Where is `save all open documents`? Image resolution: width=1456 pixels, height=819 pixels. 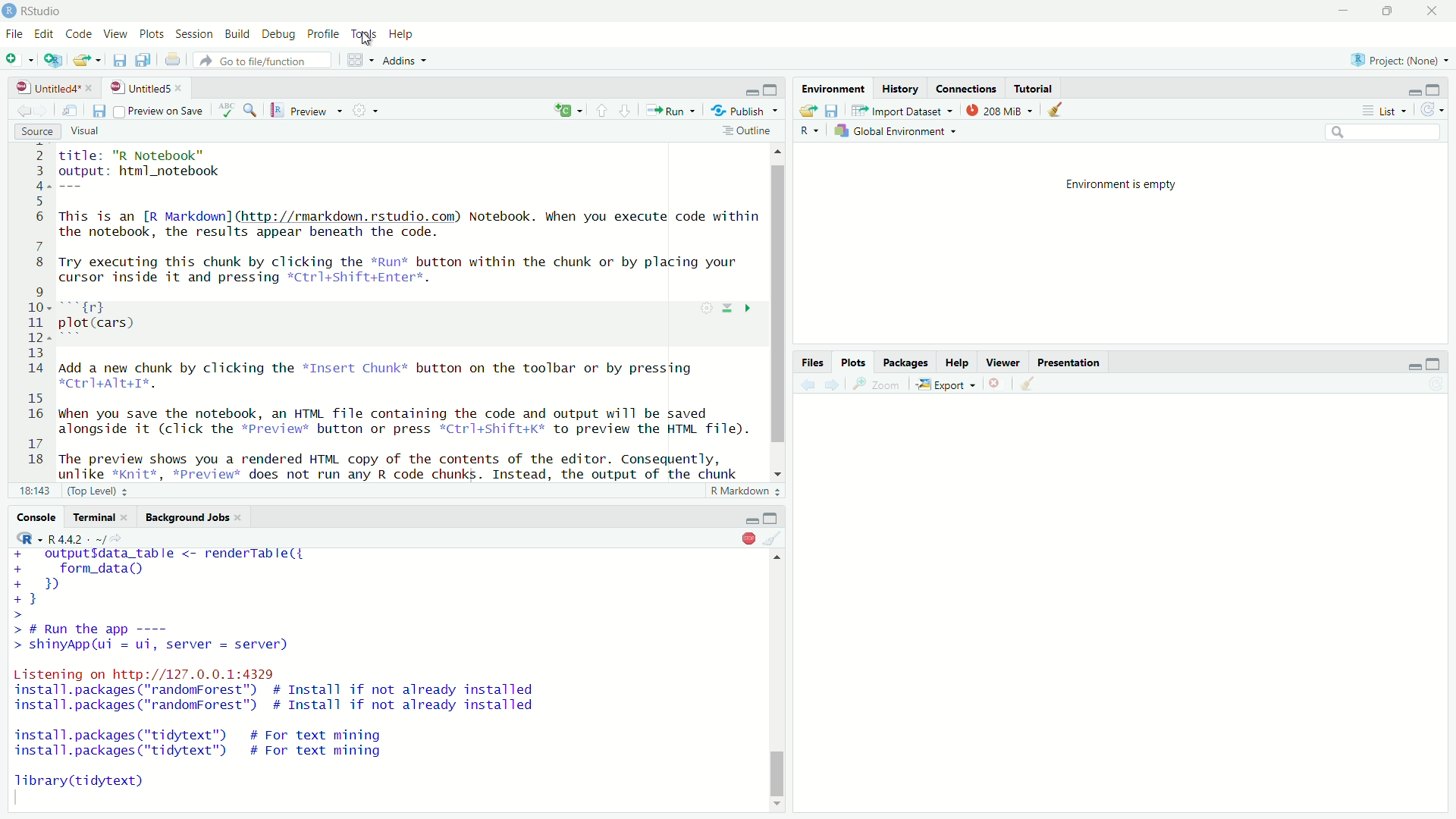
save all open documents is located at coordinates (145, 60).